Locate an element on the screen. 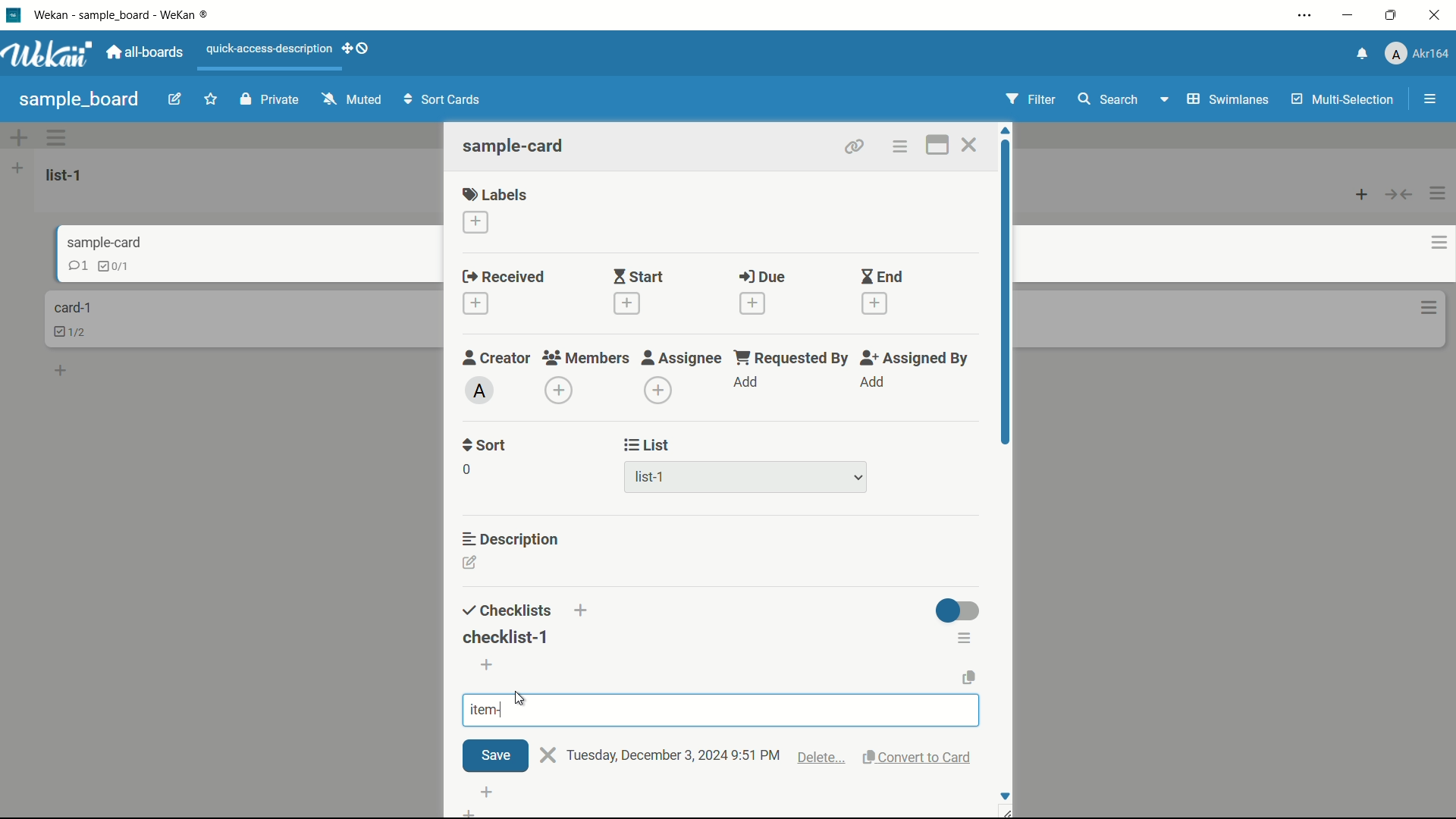 The image size is (1456, 819). copy link to clipboard is located at coordinates (855, 147).